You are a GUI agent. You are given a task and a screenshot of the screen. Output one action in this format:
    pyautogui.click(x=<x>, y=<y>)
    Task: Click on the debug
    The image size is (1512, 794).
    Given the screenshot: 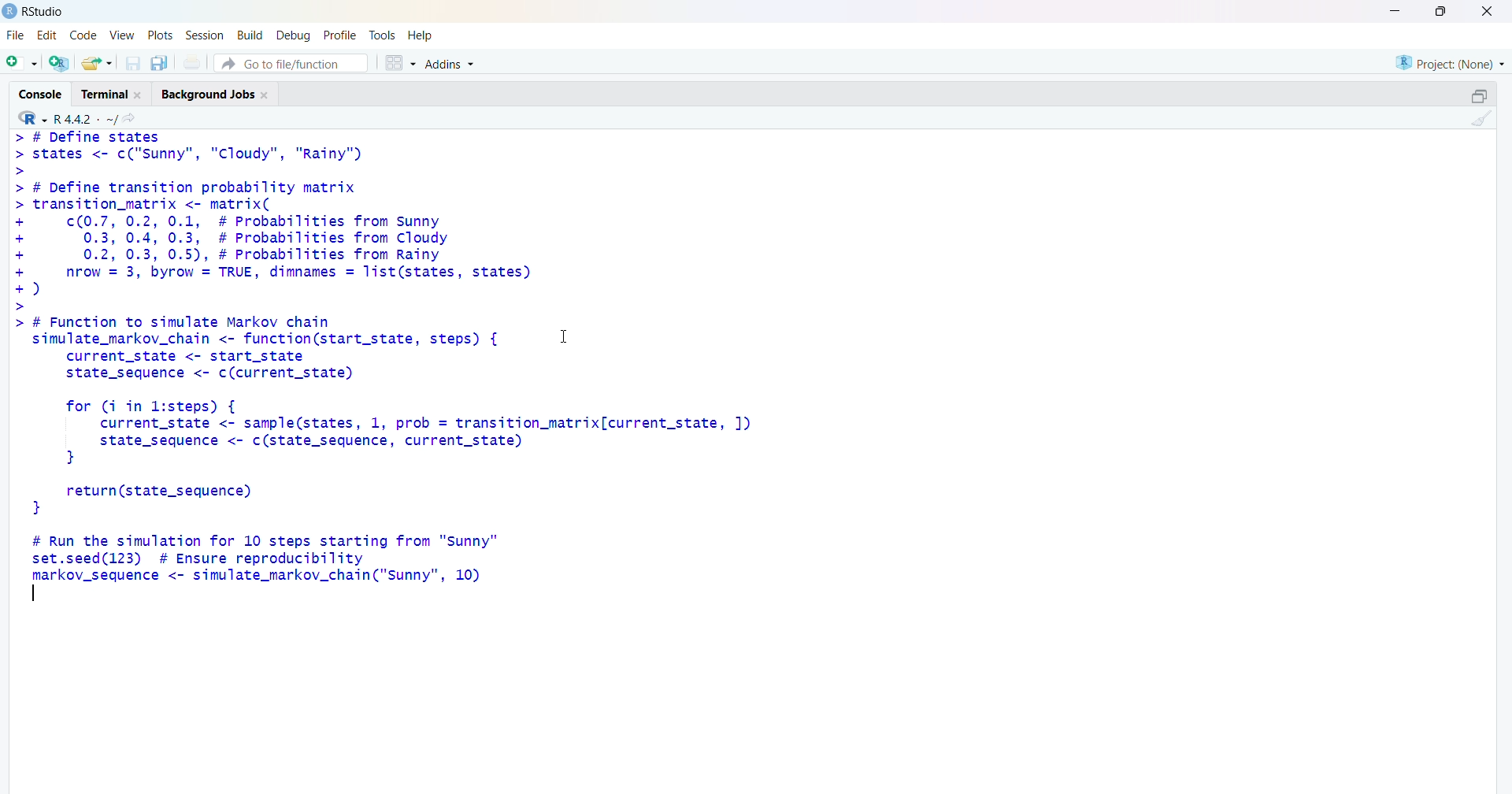 What is the action you would take?
    pyautogui.click(x=292, y=35)
    